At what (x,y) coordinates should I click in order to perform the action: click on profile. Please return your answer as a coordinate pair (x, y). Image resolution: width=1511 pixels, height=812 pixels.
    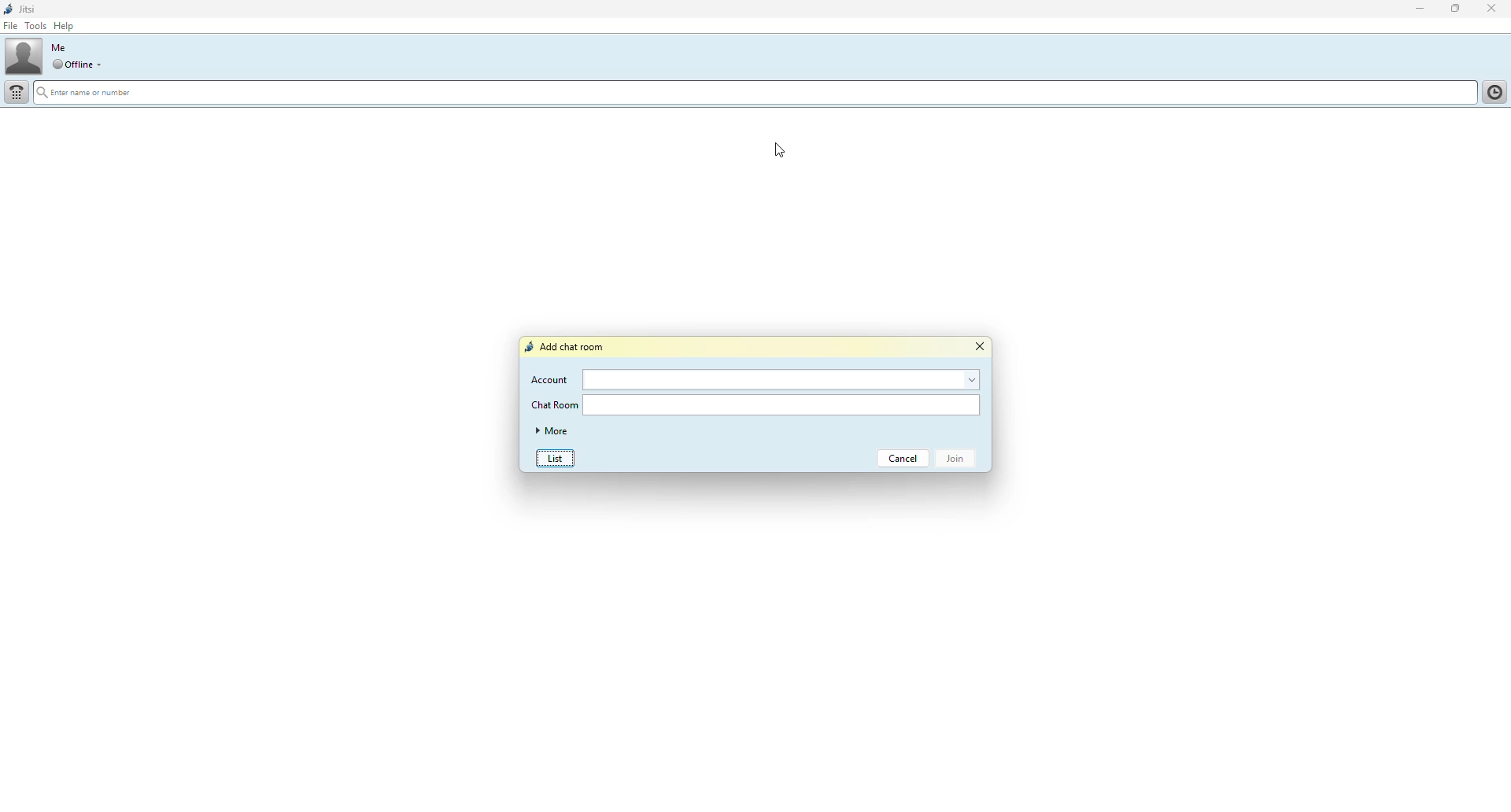
    Looking at the image, I should click on (24, 55).